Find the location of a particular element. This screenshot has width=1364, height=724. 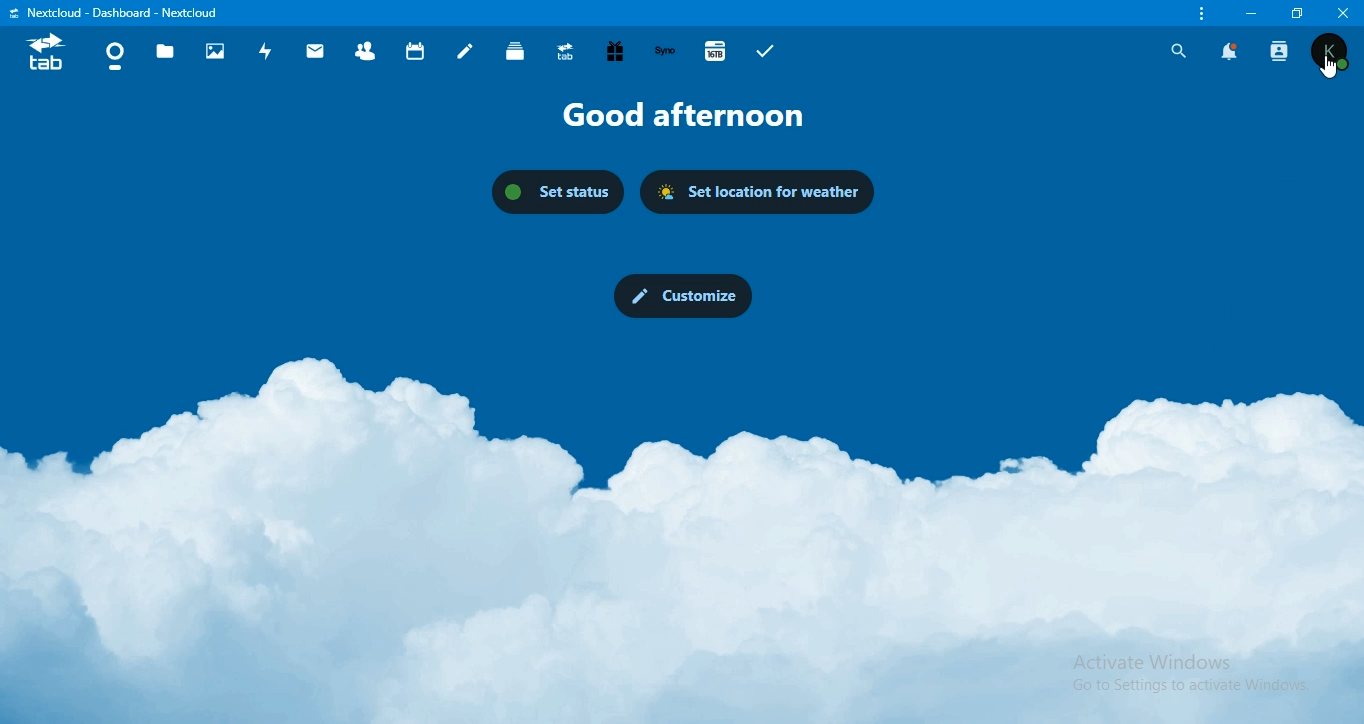

Cursor is located at coordinates (1325, 72).